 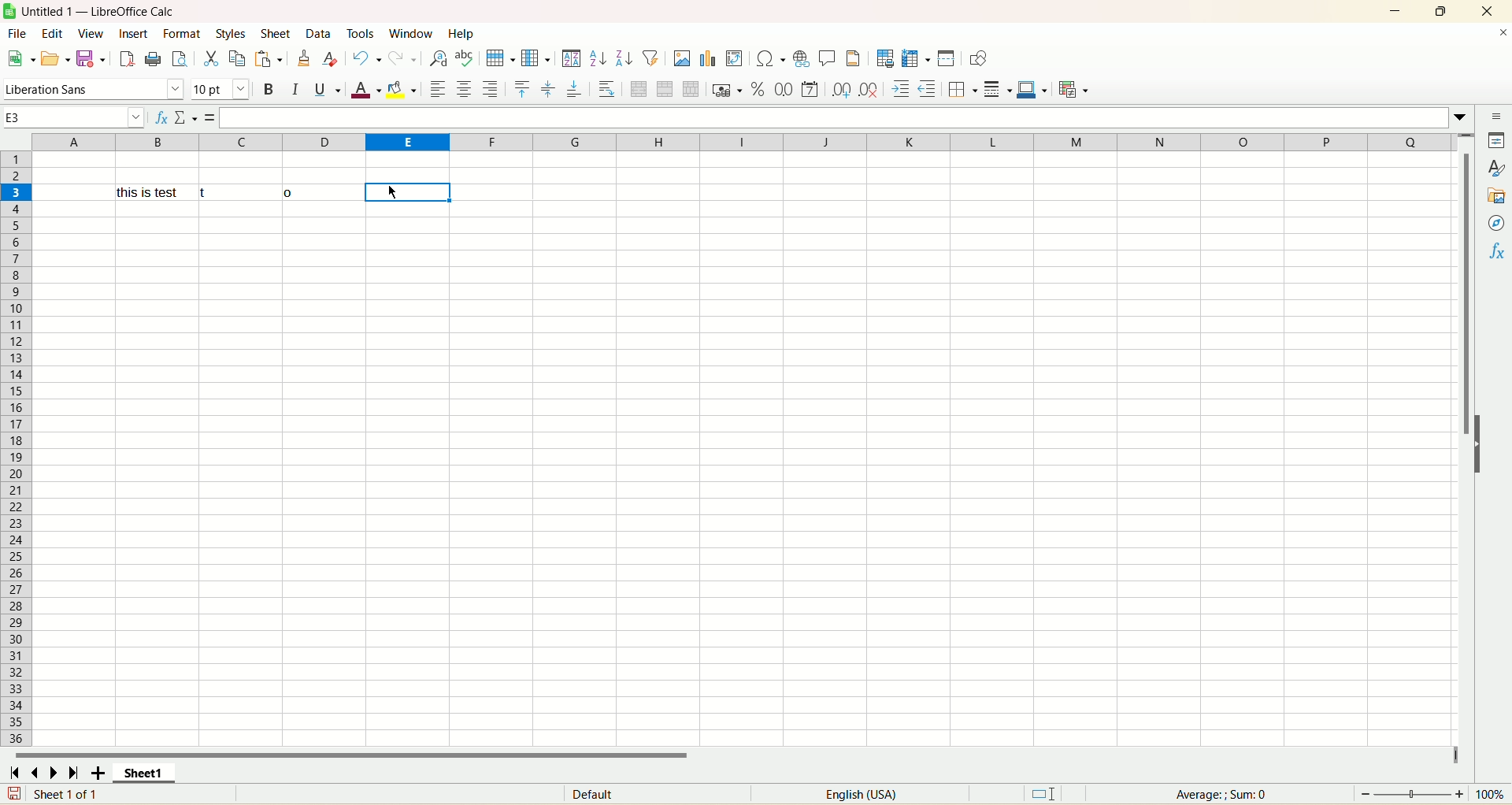 I want to click on standard selection, so click(x=1056, y=792).